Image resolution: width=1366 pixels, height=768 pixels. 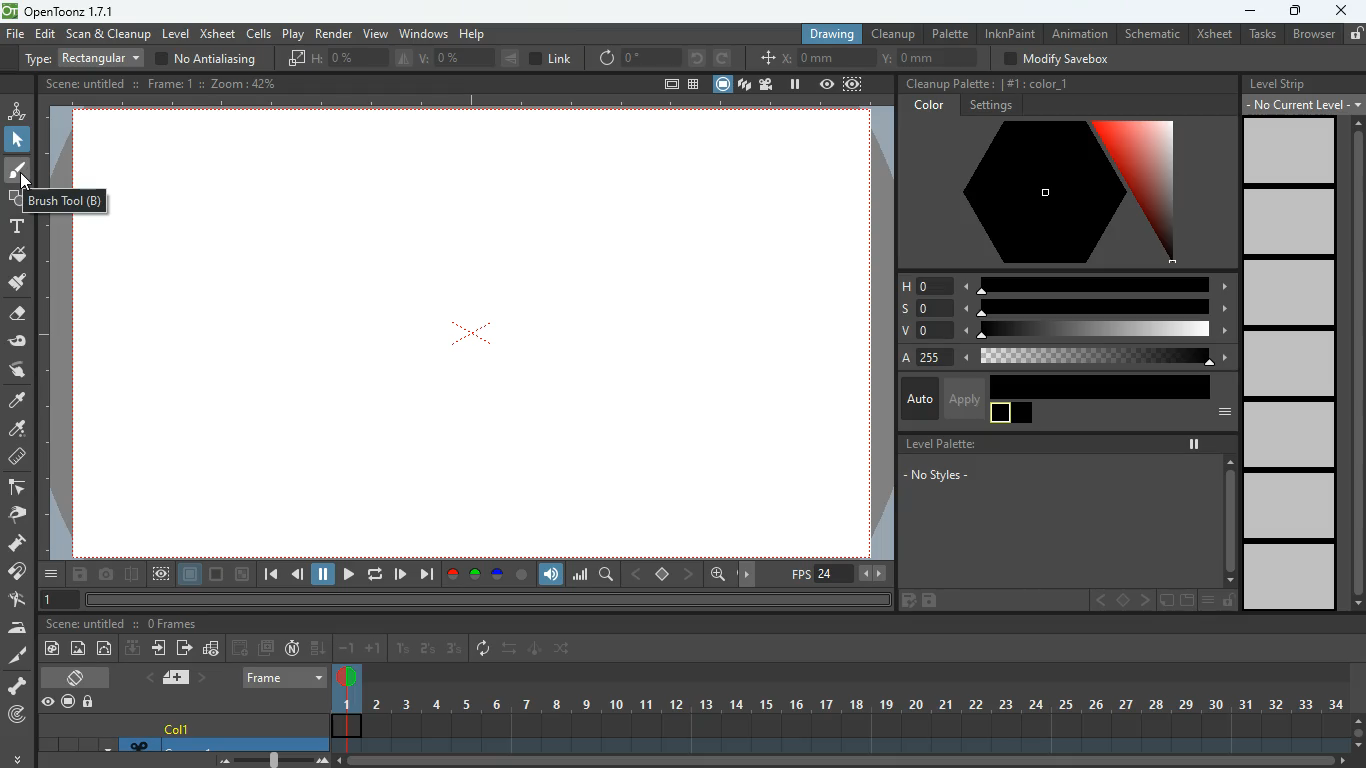 I want to click on pause, so click(x=1194, y=444).